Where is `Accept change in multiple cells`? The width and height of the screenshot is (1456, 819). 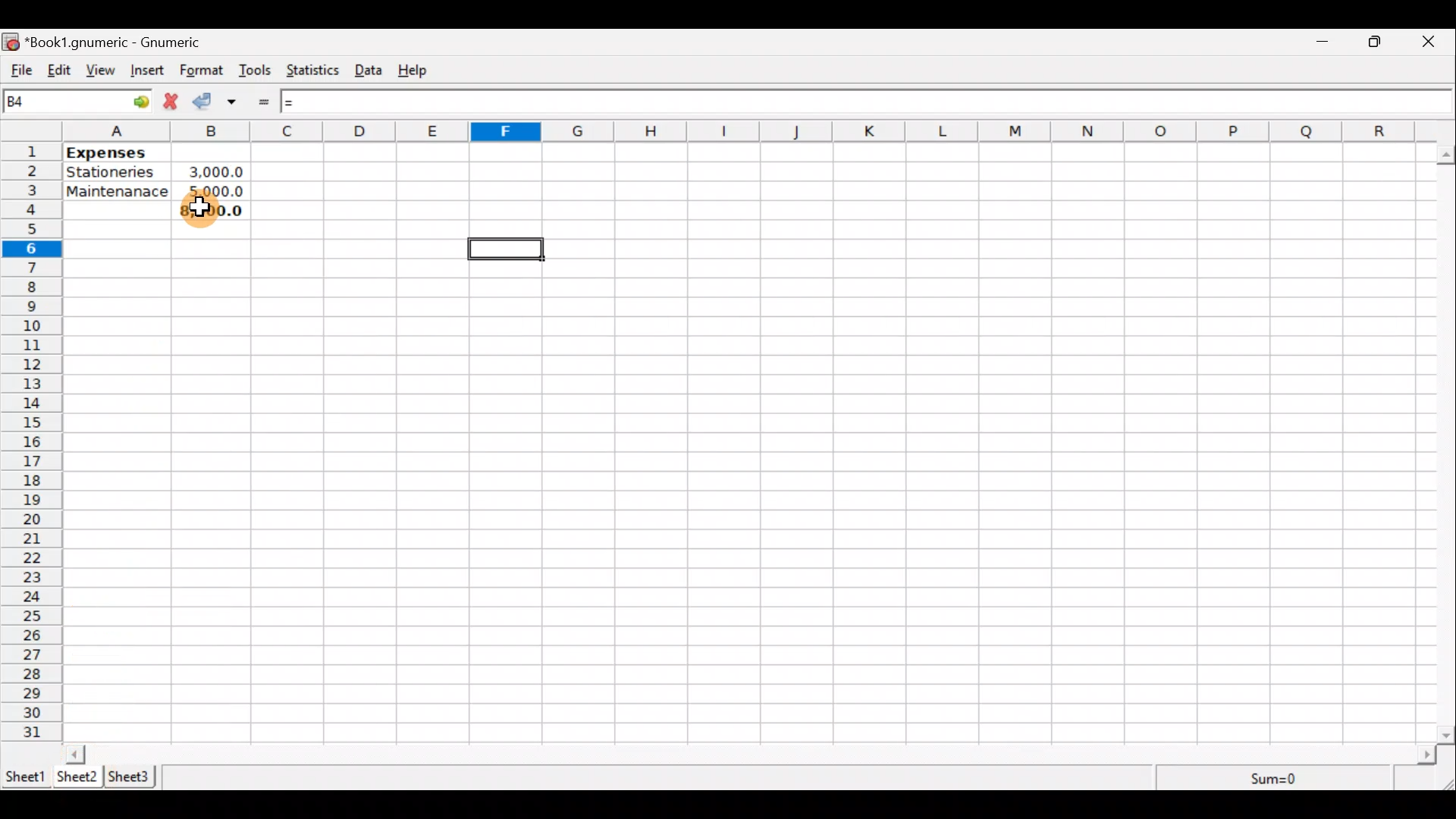
Accept change in multiple cells is located at coordinates (237, 102).